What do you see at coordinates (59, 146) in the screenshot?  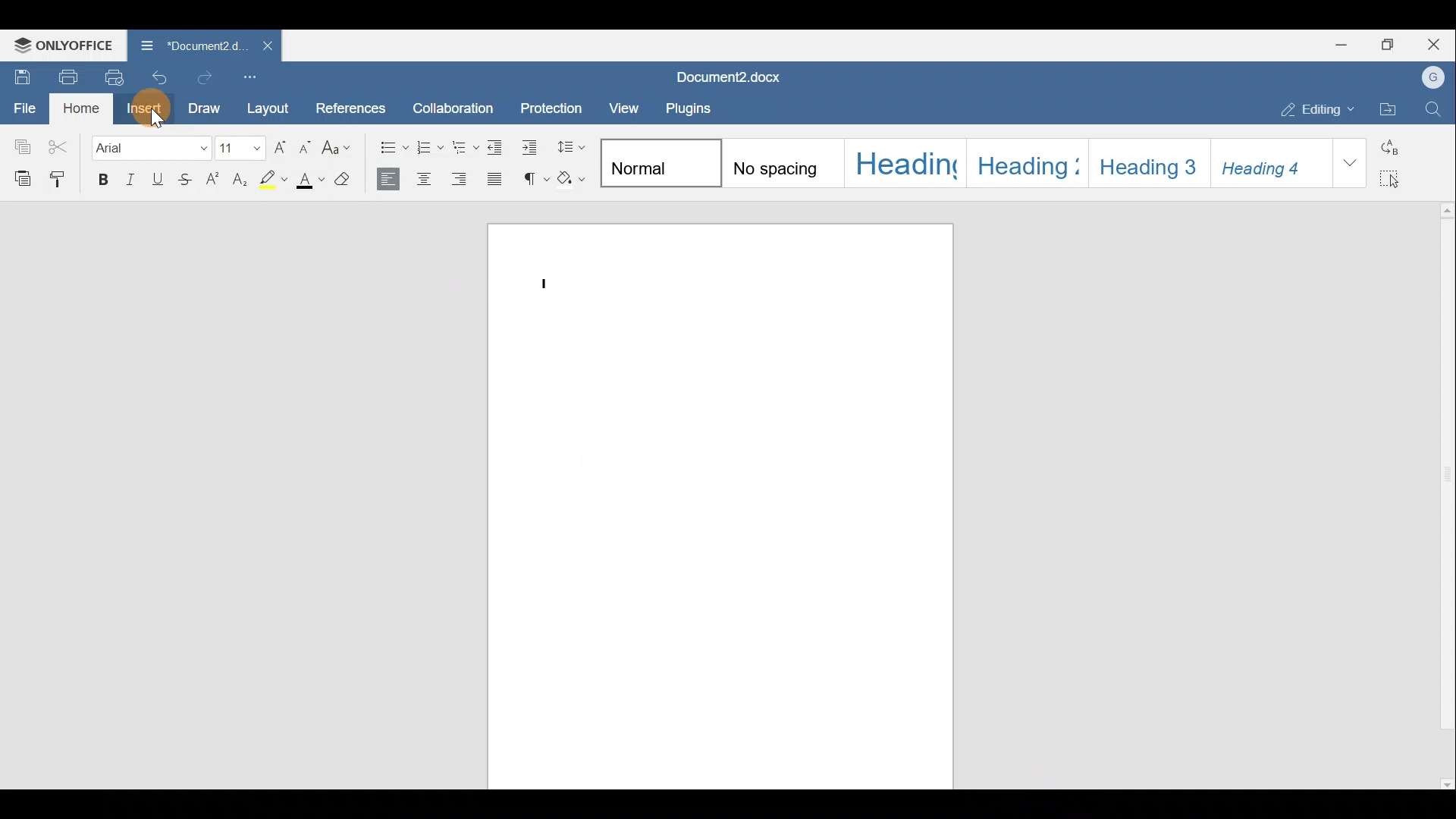 I see `Cut` at bounding box center [59, 146].